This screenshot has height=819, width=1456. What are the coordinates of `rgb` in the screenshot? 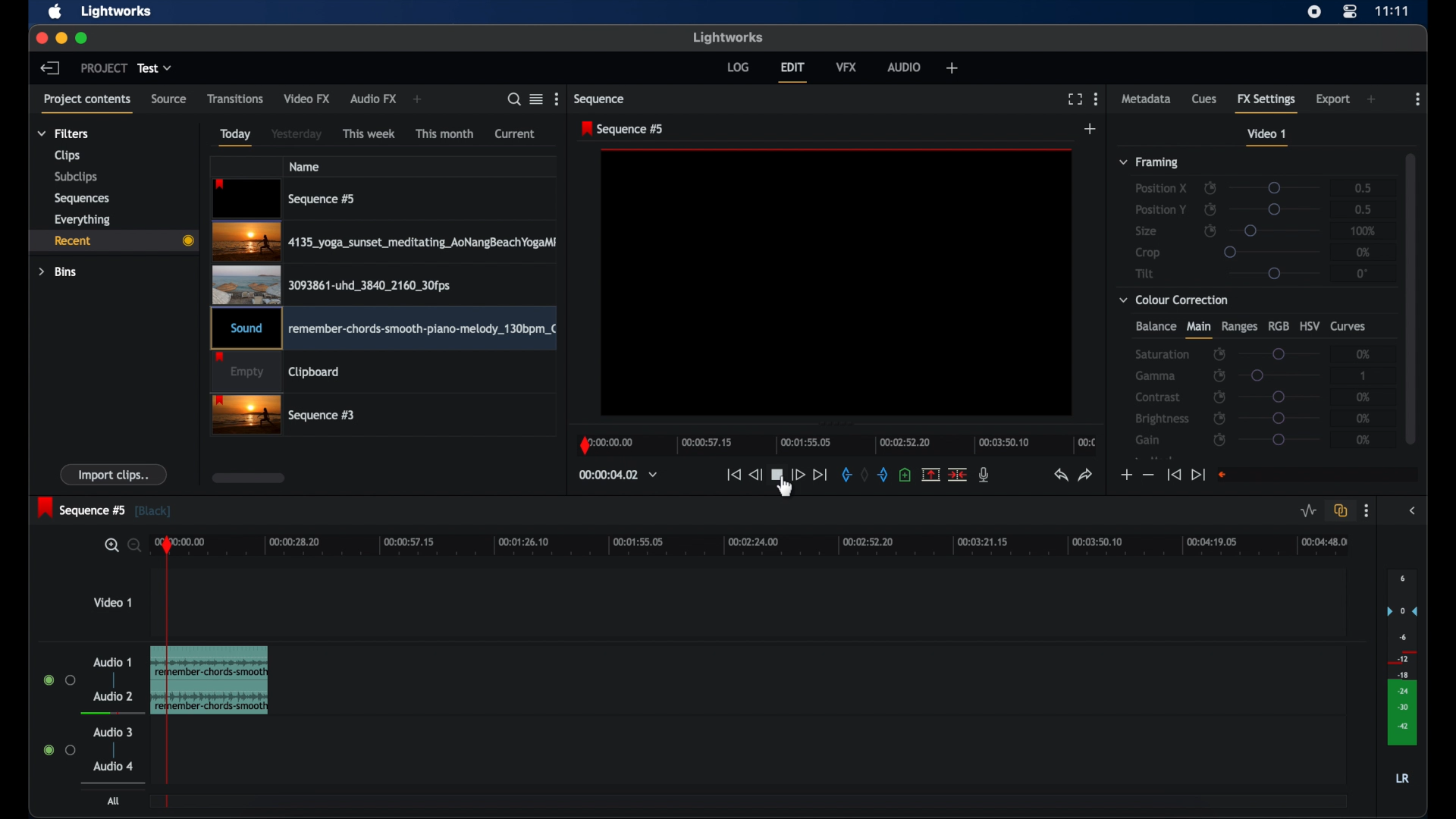 It's located at (1278, 326).